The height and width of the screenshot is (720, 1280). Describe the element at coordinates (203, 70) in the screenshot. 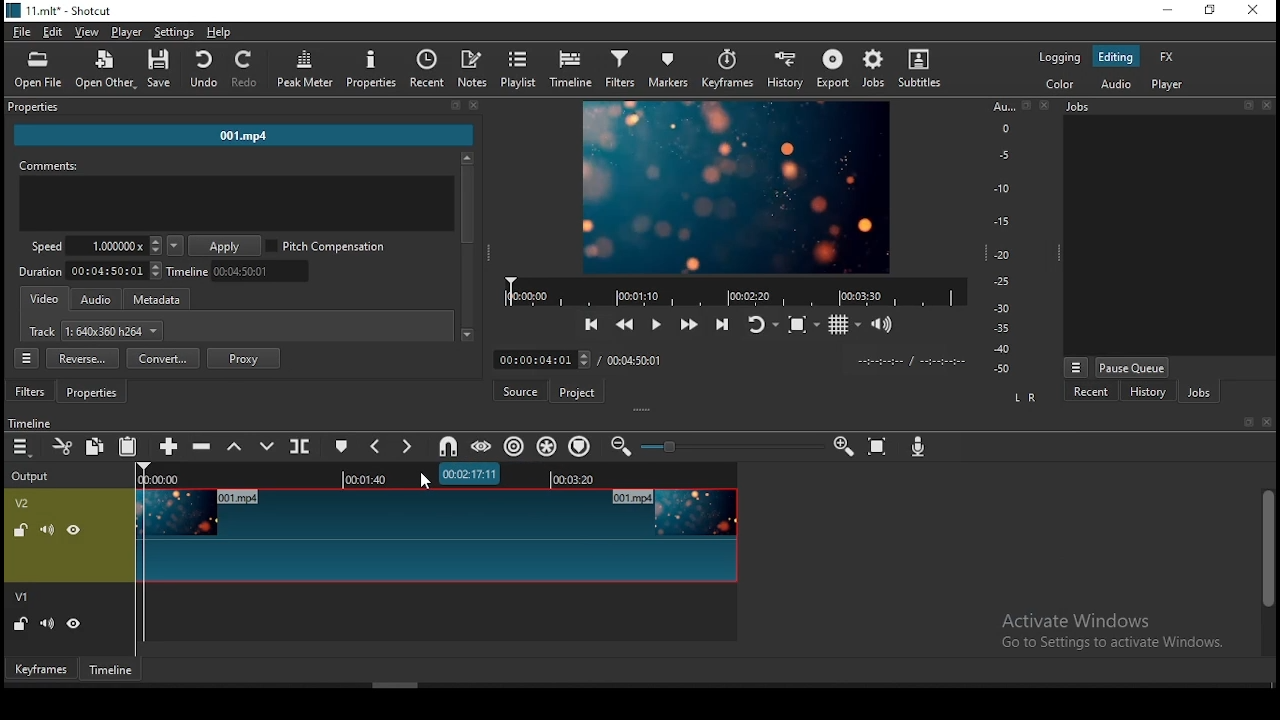

I see `undo` at that location.